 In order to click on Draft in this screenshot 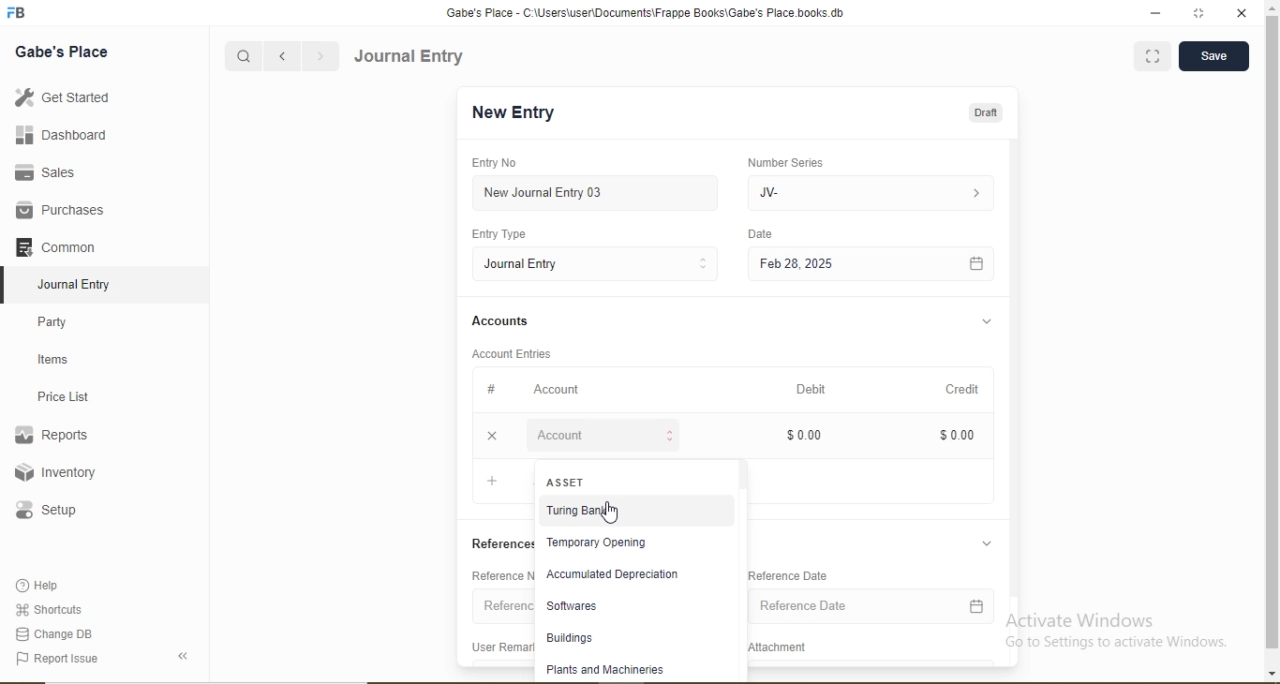, I will do `click(988, 113)`.